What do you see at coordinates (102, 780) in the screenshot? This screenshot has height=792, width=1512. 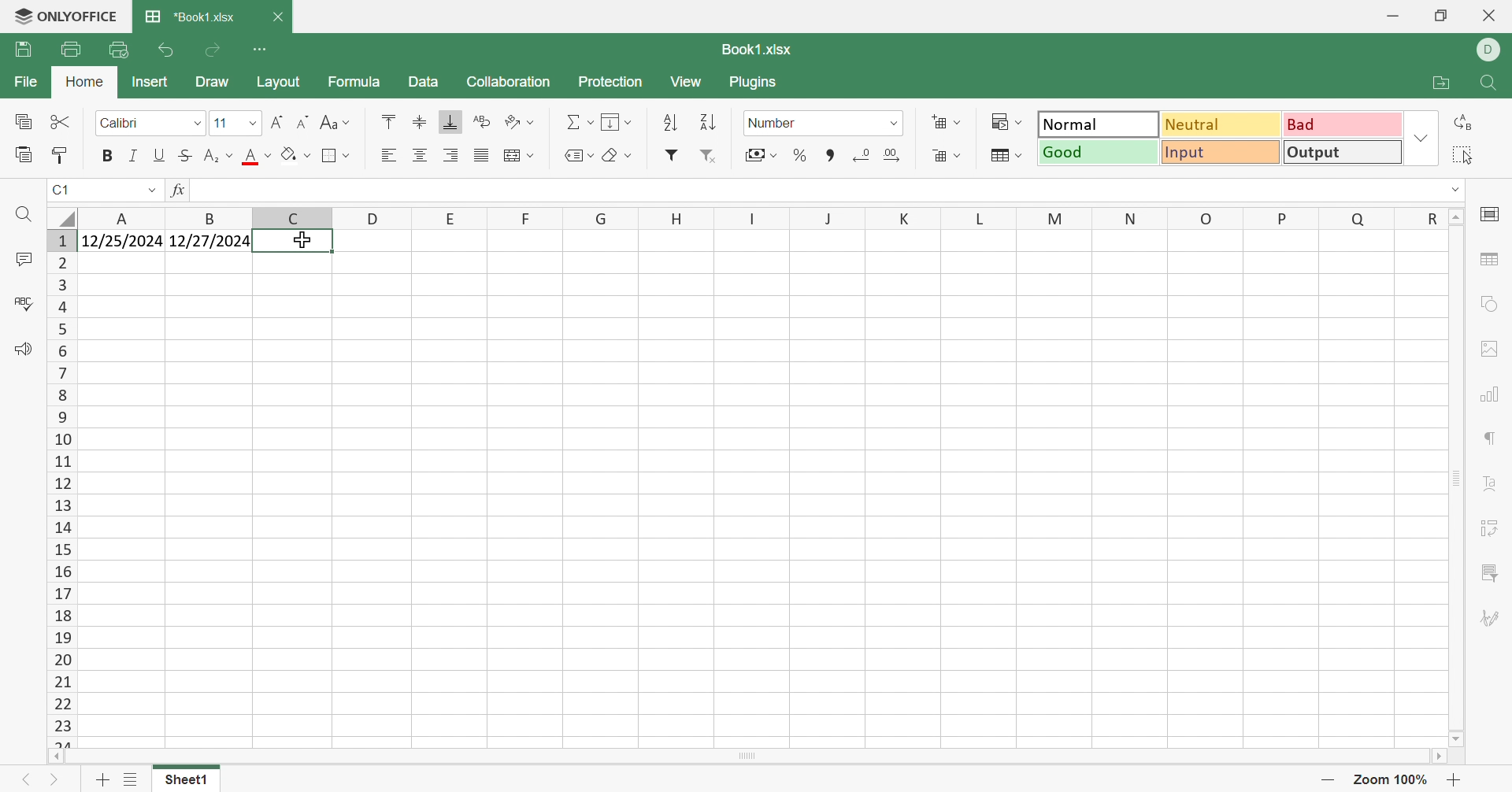 I see `Add sheet` at bounding box center [102, 780].